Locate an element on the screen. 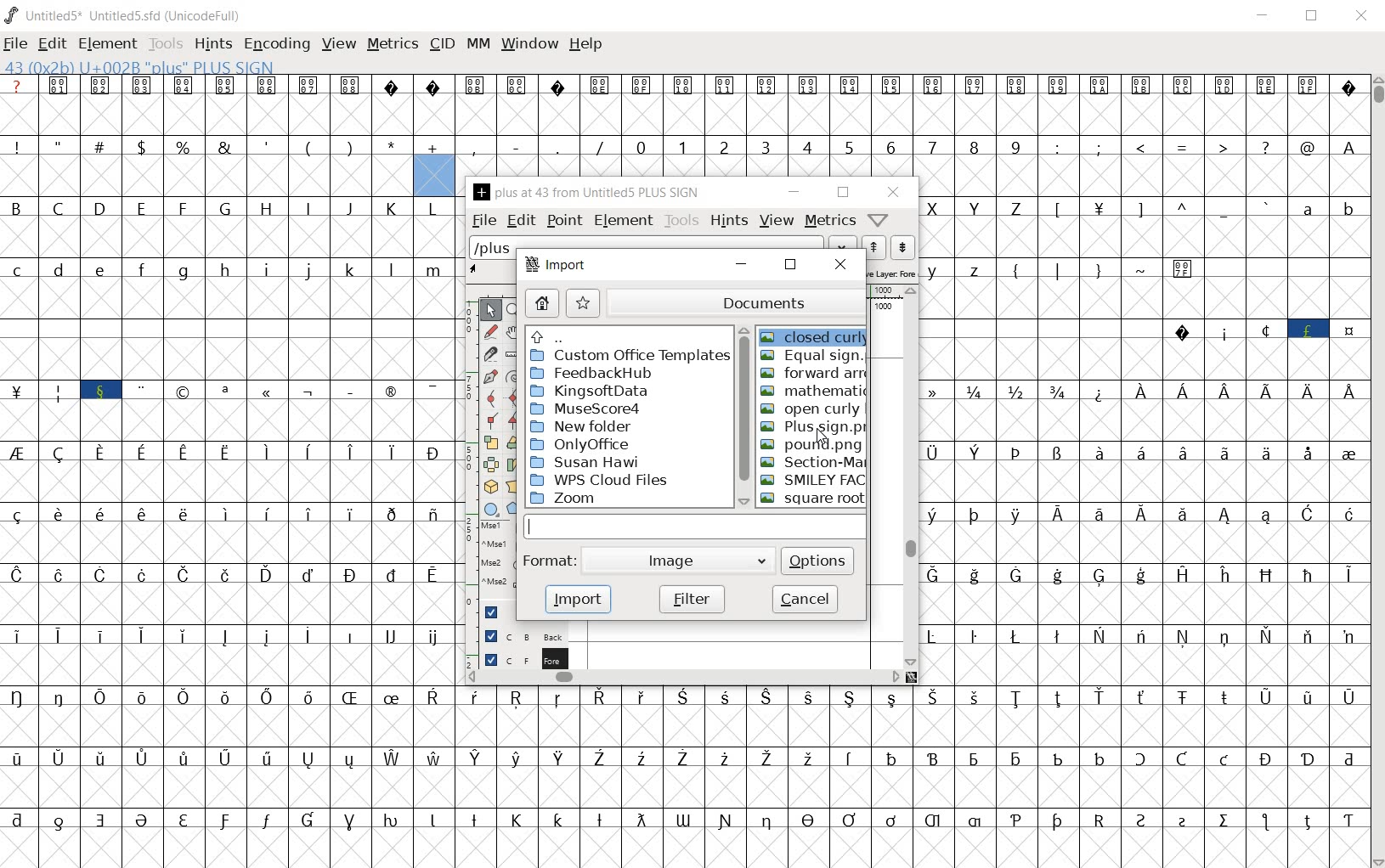  custom offices templates is located at coordinates (630, 356).